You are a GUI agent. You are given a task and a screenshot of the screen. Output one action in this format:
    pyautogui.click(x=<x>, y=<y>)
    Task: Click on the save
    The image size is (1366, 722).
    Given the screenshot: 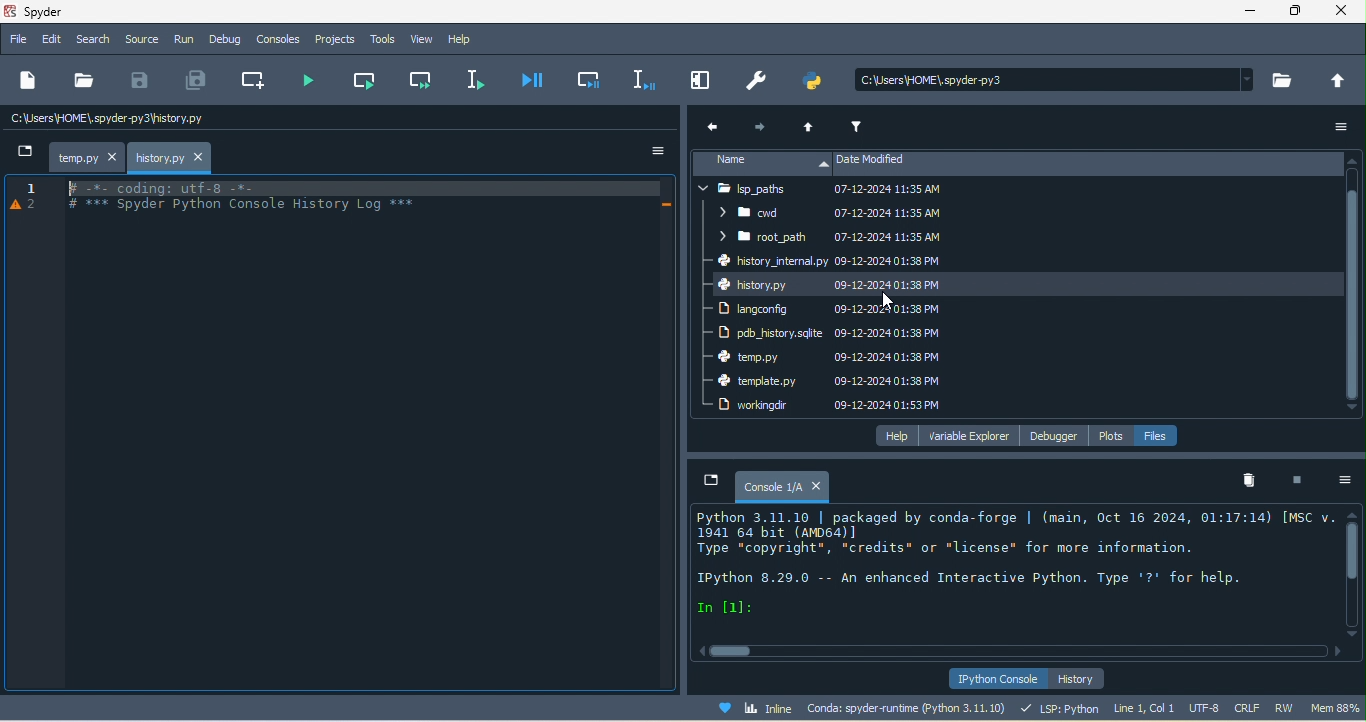 What is the action you would take?
    pyautogui.click(x=139, y=81)
    